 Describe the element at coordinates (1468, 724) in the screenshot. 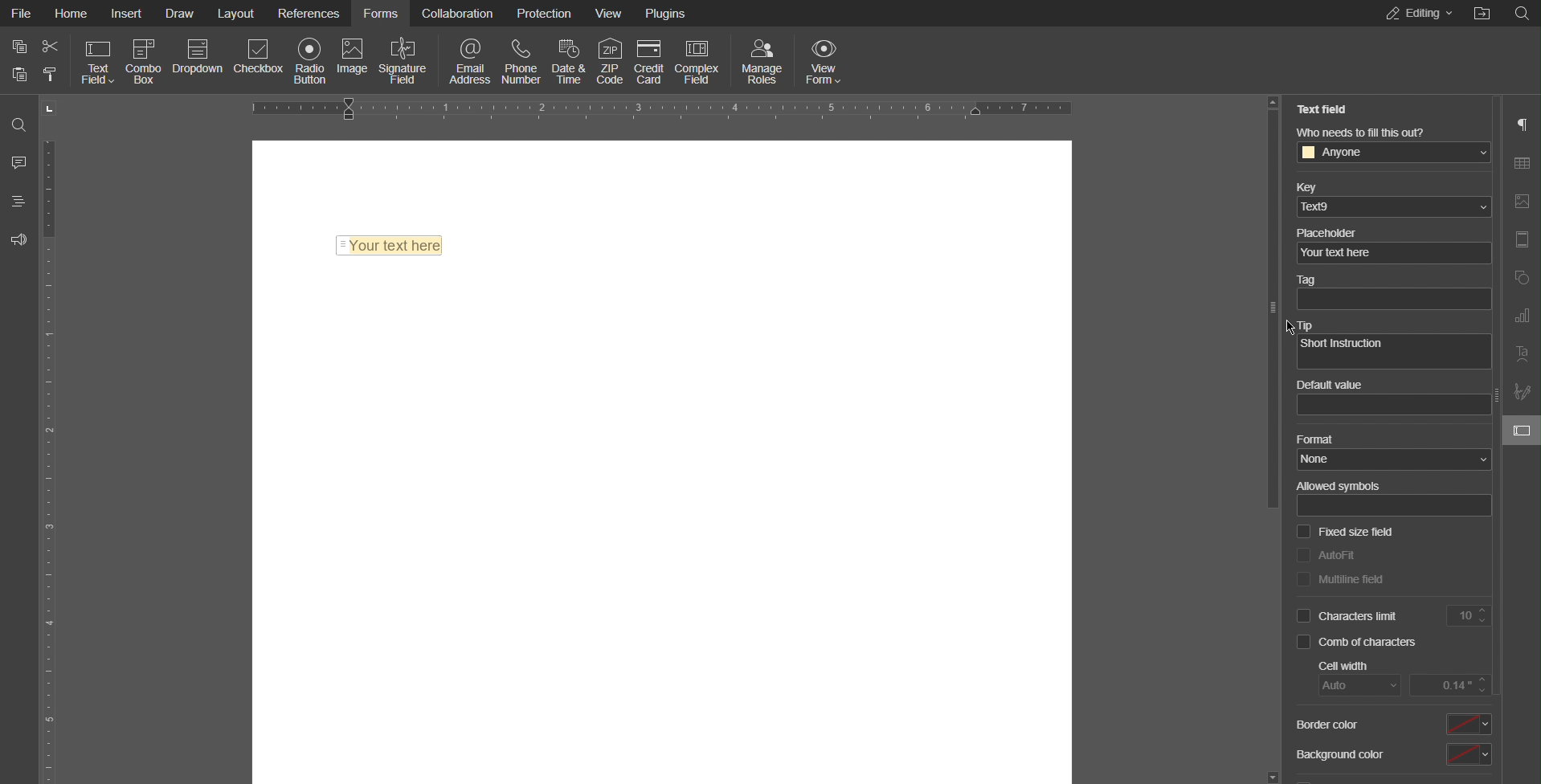

I see `select border color` at that location.